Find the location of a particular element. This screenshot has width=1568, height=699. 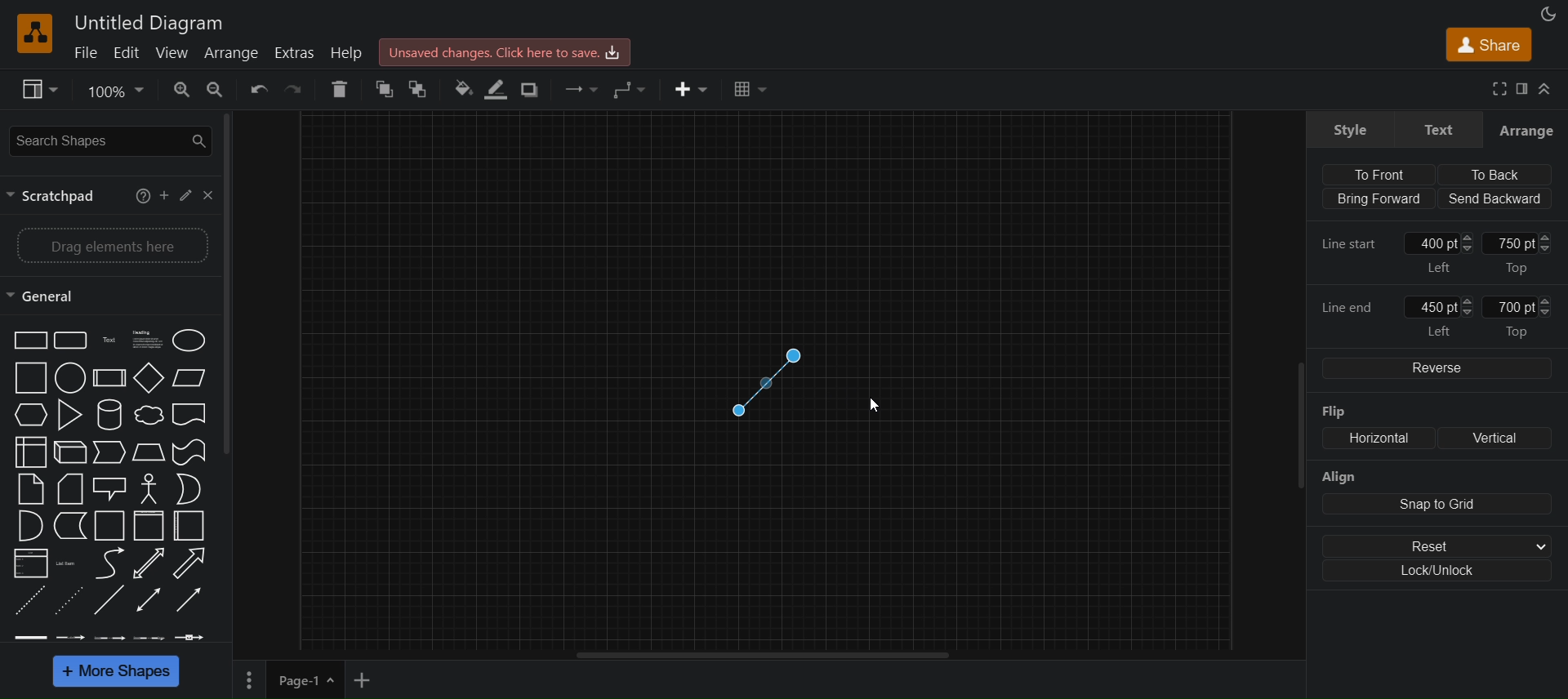

line end is located at coordinates (1352, 307).